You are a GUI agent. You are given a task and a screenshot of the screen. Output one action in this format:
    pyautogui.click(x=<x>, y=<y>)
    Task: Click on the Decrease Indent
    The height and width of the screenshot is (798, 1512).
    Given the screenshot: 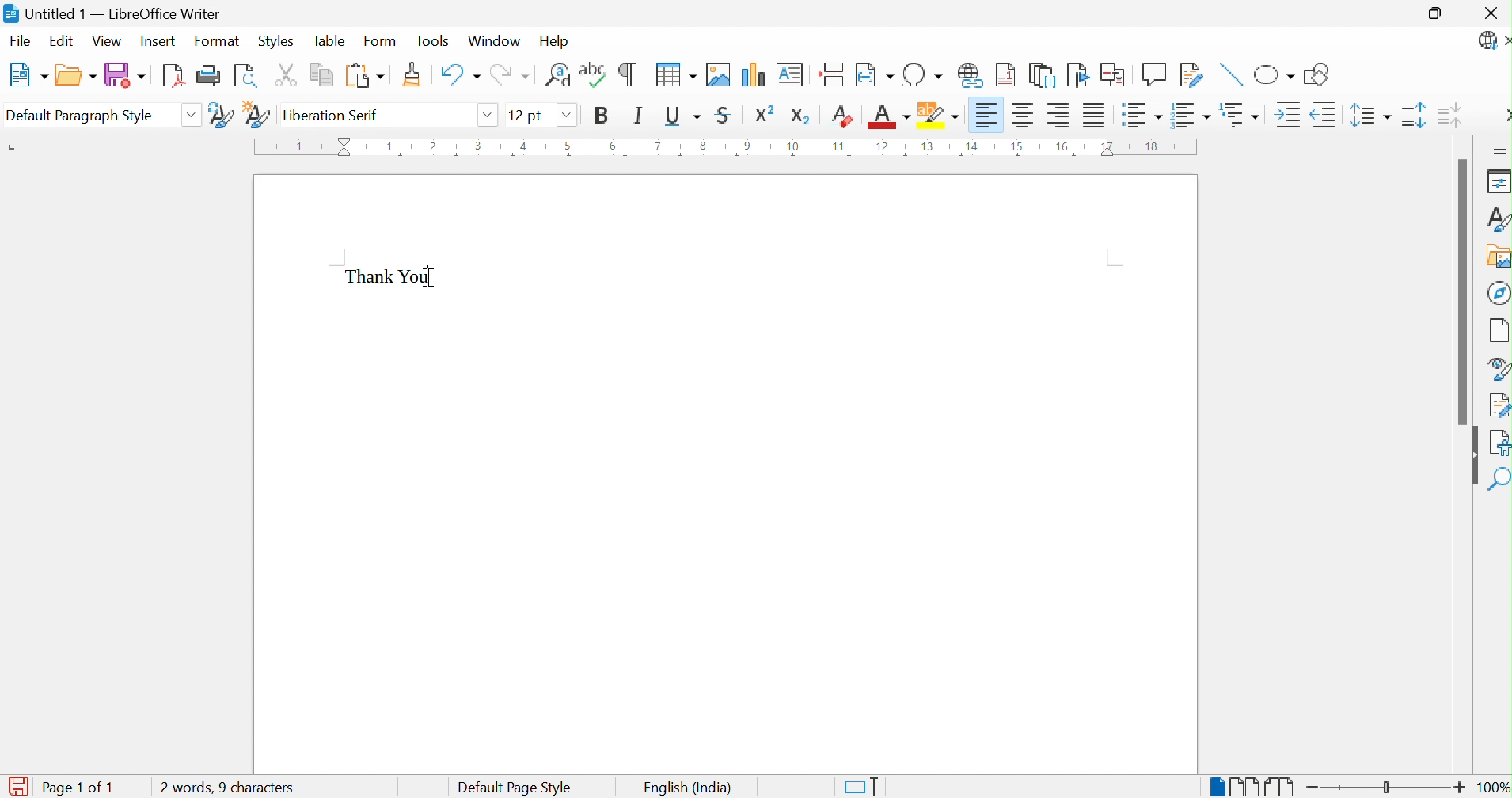 What is the action you would take?
    pyautogui.click(x=1325, y=114)
    